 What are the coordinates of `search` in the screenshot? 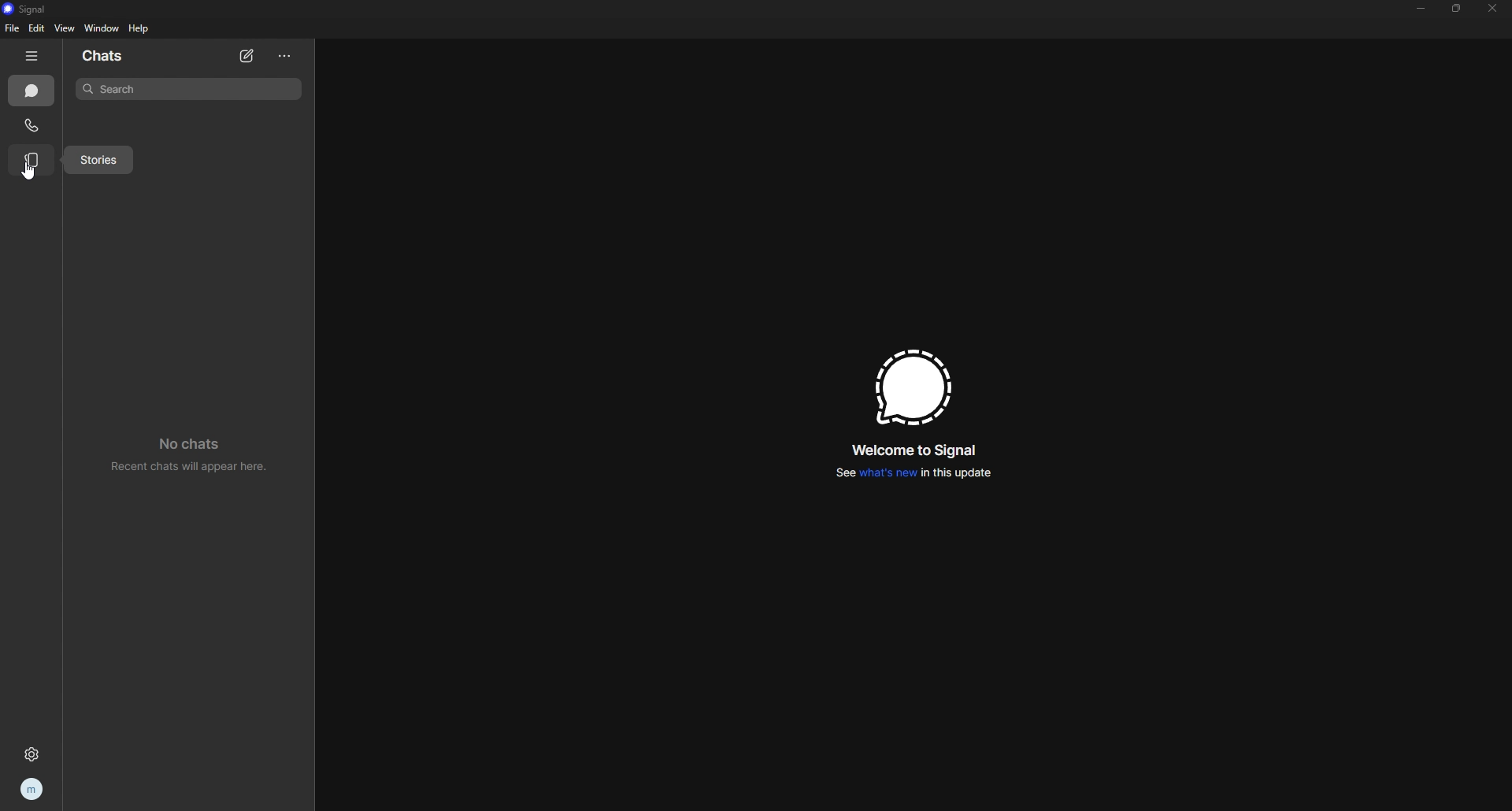 It's located at (190, 89).